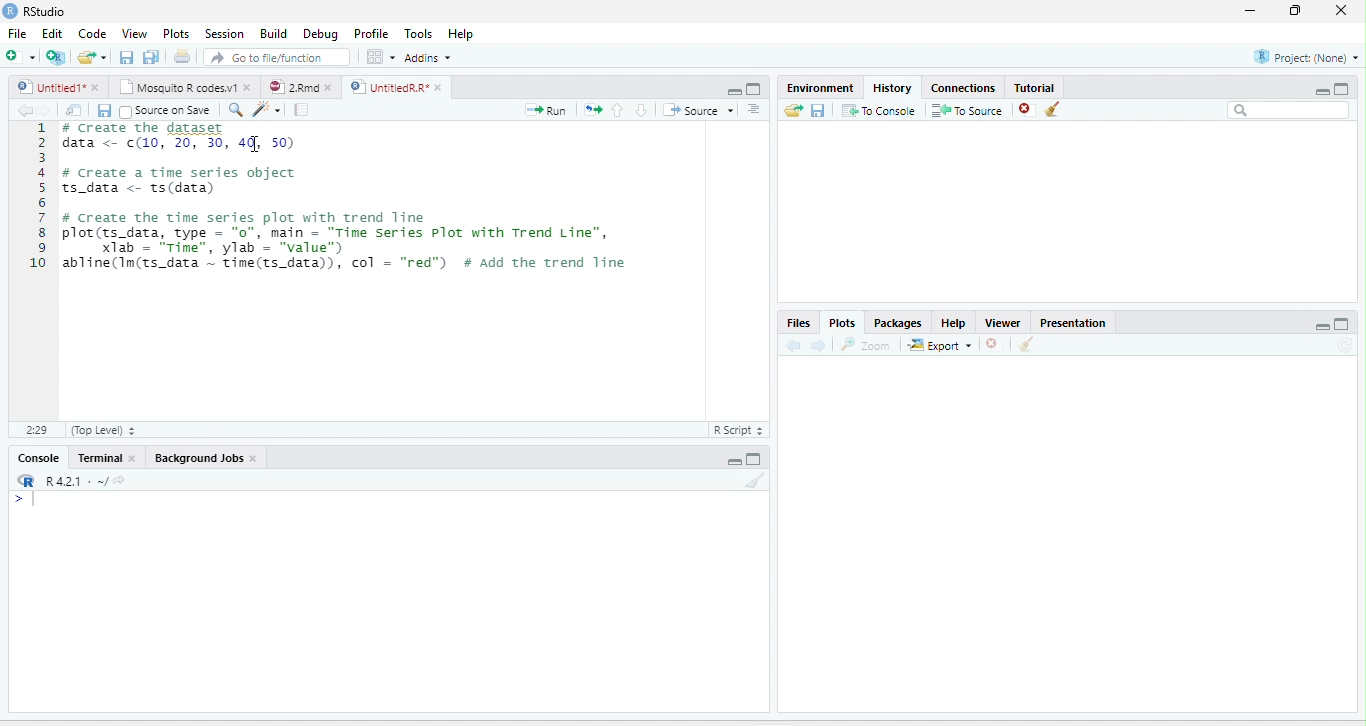 The width and height of the screenshot is (1366, 726). Describe the element at coordinates (799, 323) in the screenshot. I see `Files` at that location.